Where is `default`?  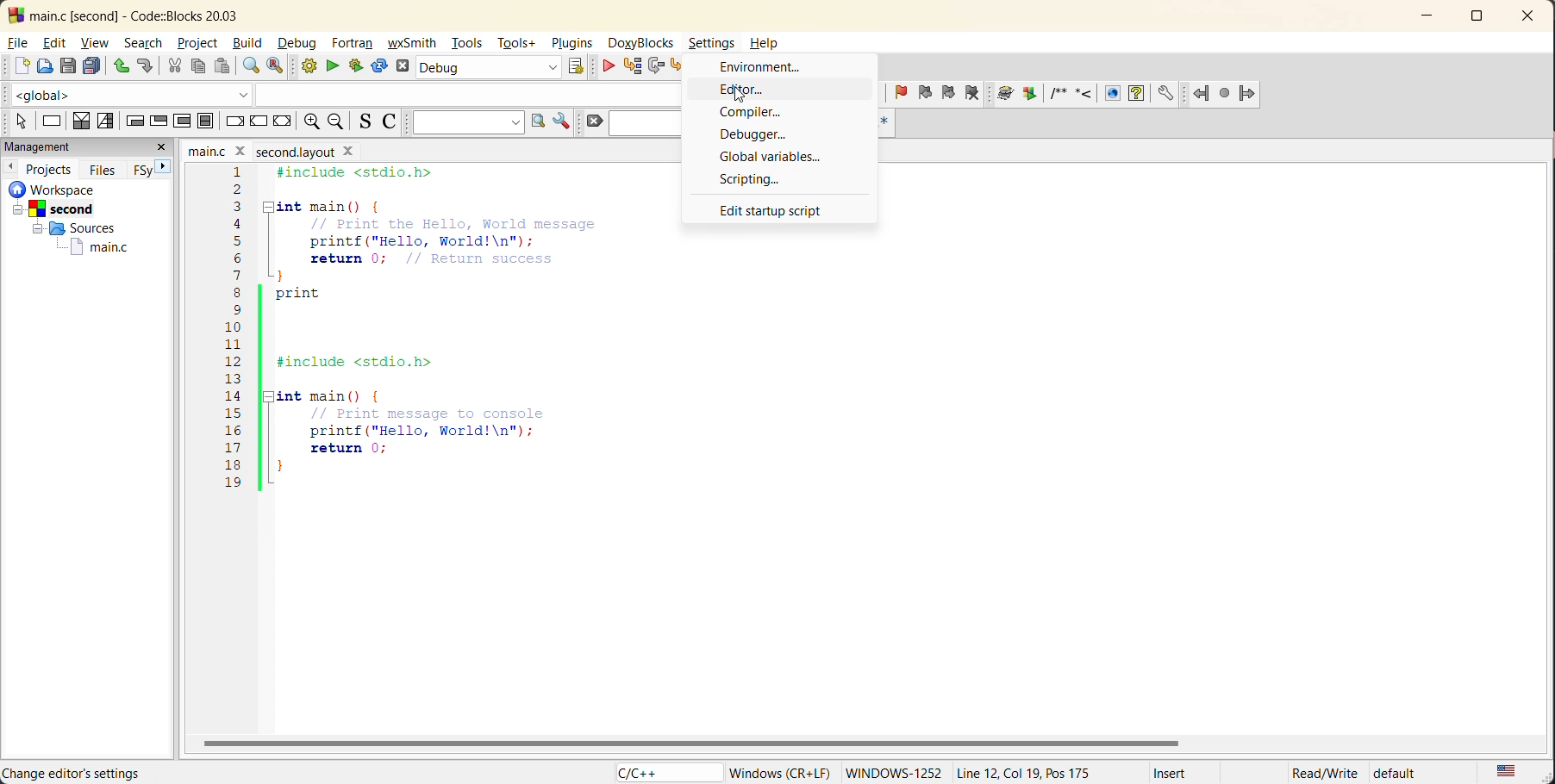 default is located at coordinates (1405, 773).